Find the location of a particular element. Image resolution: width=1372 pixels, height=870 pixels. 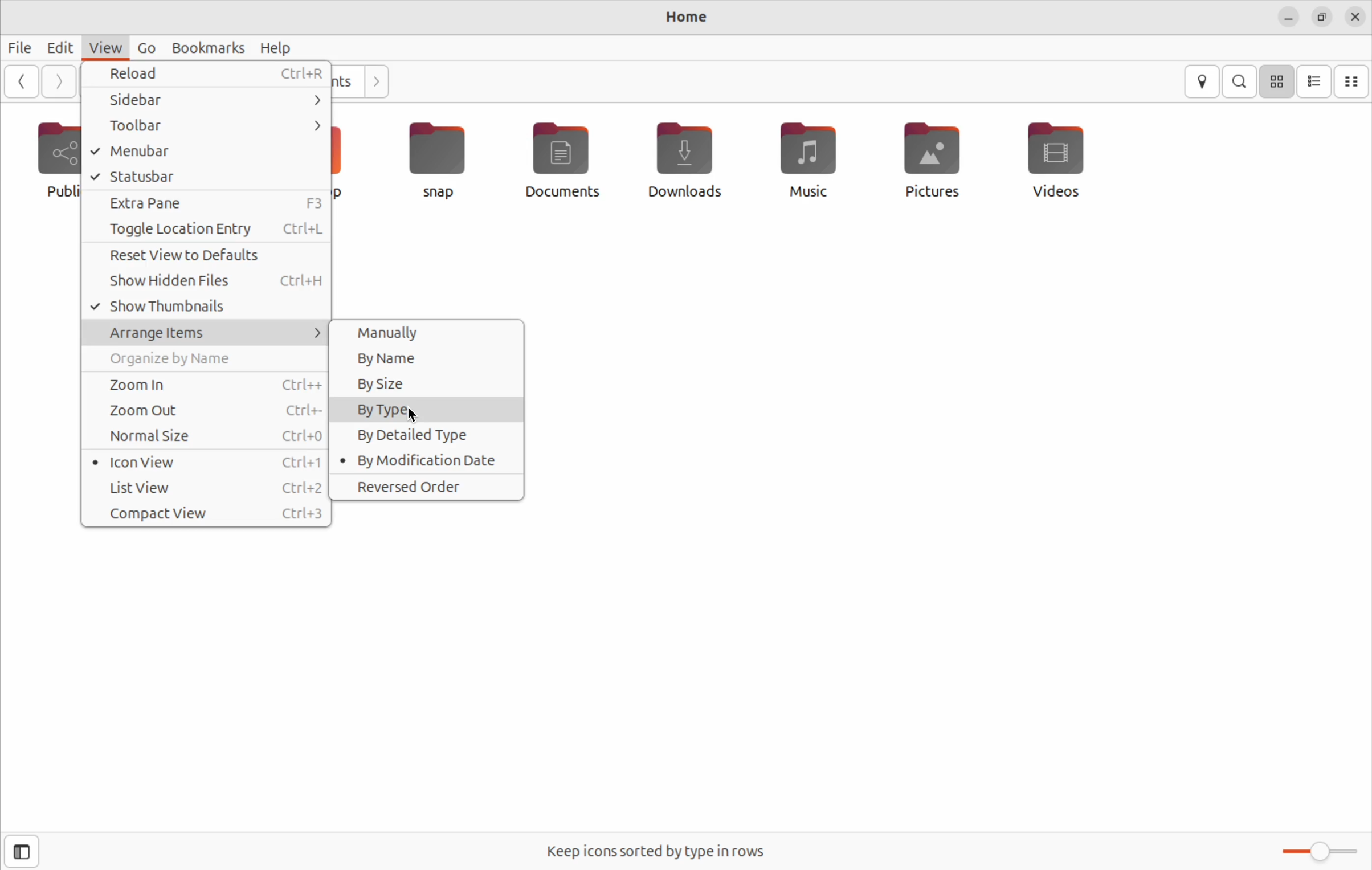

side bar is located at coordinates (207, 100).